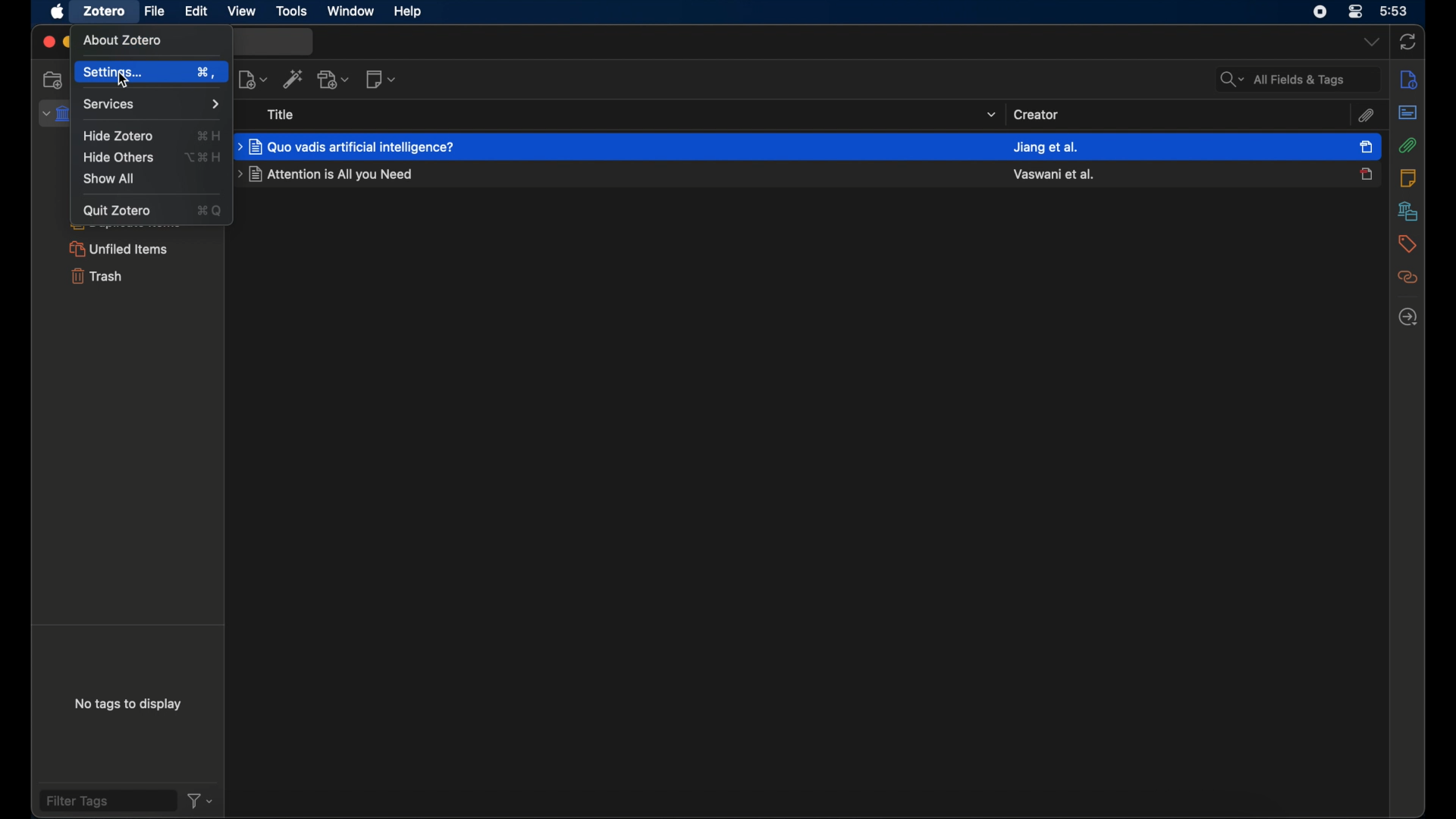  I want to click on settings, so click(113, 72).